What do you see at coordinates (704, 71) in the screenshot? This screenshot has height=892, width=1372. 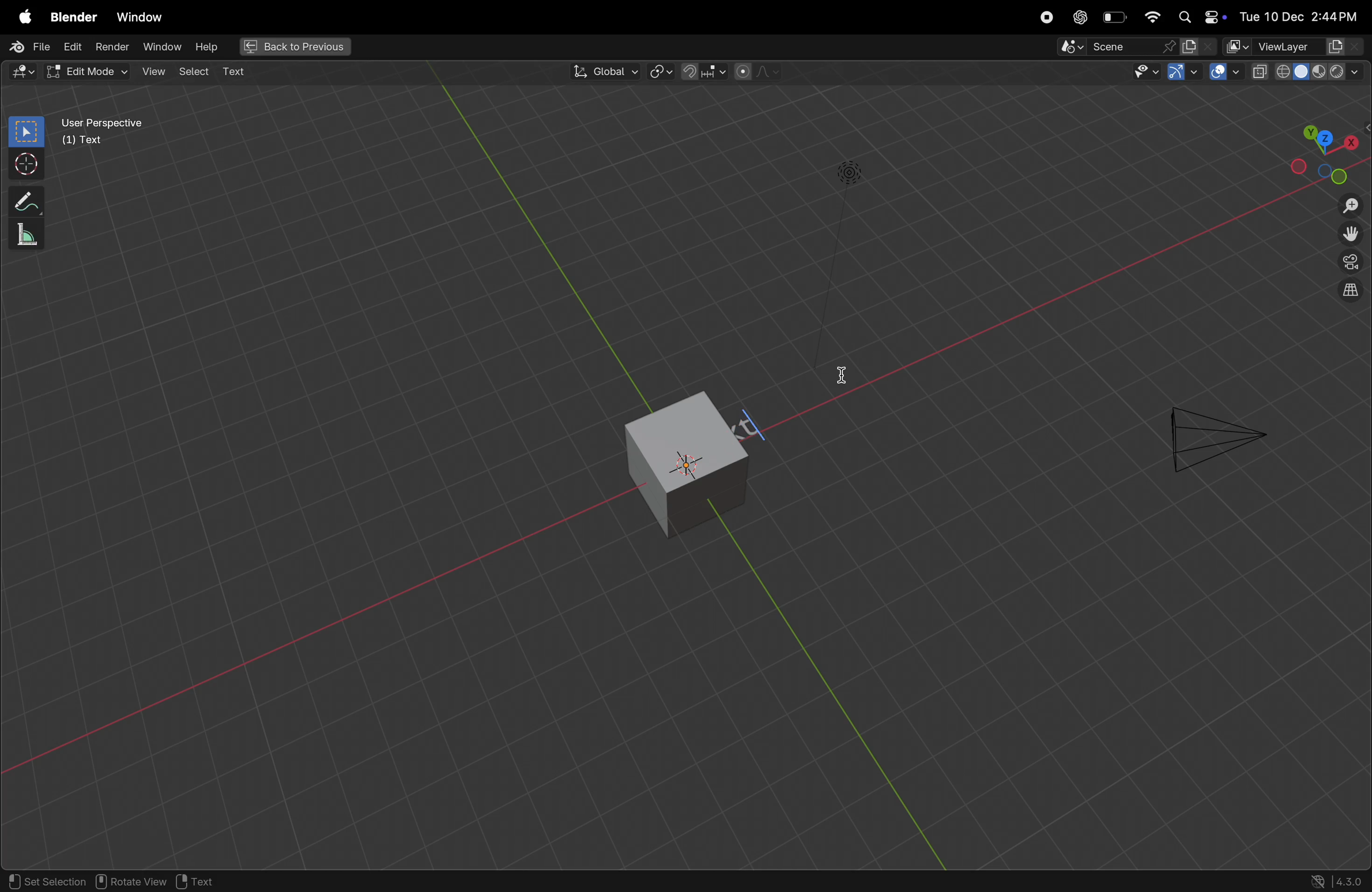 I see `snap` at bounding box center [704, 71].